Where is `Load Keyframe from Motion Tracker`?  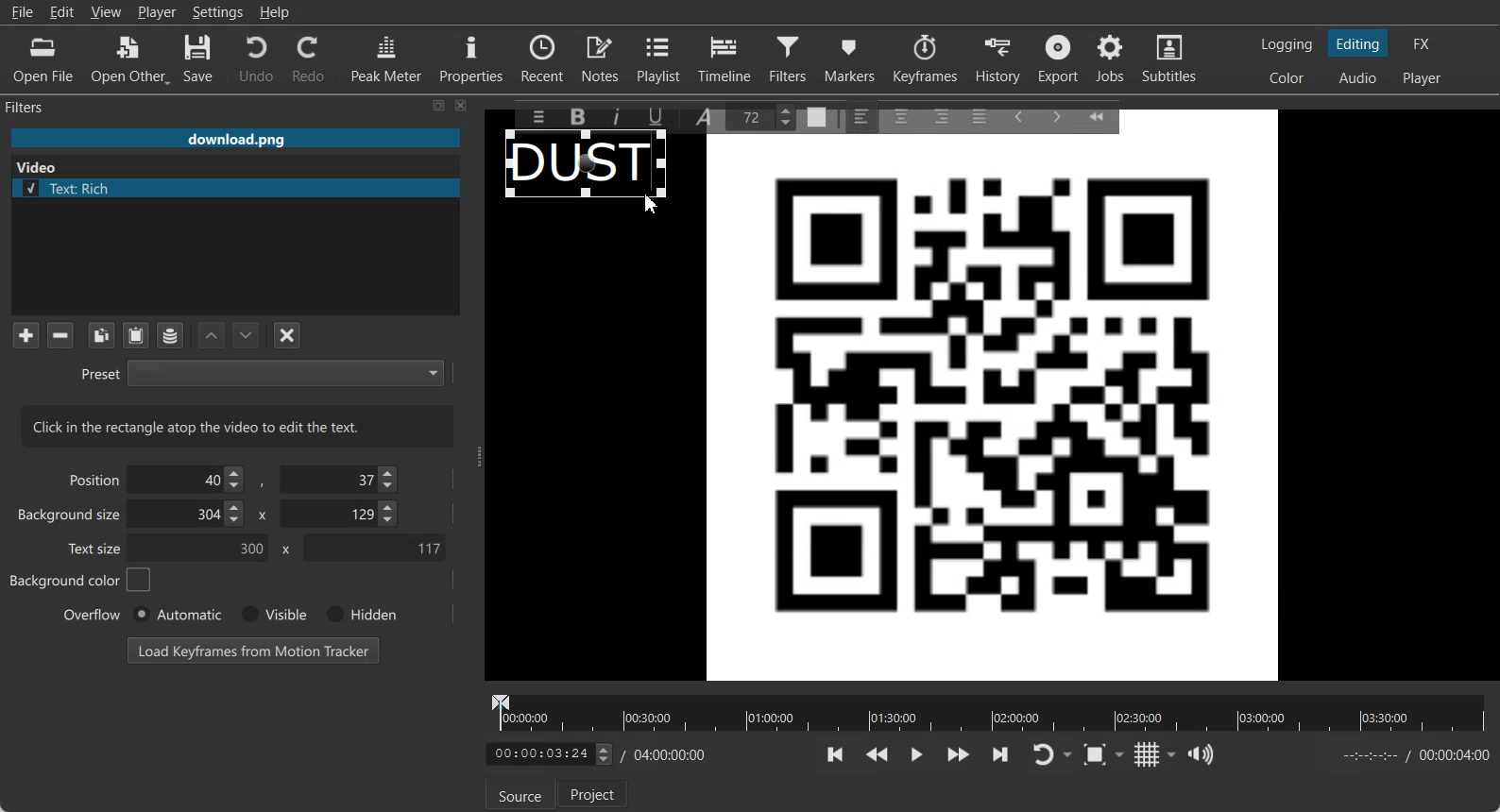
Load Keyframe from Motion Tracker is located at coordinates (253, 650).